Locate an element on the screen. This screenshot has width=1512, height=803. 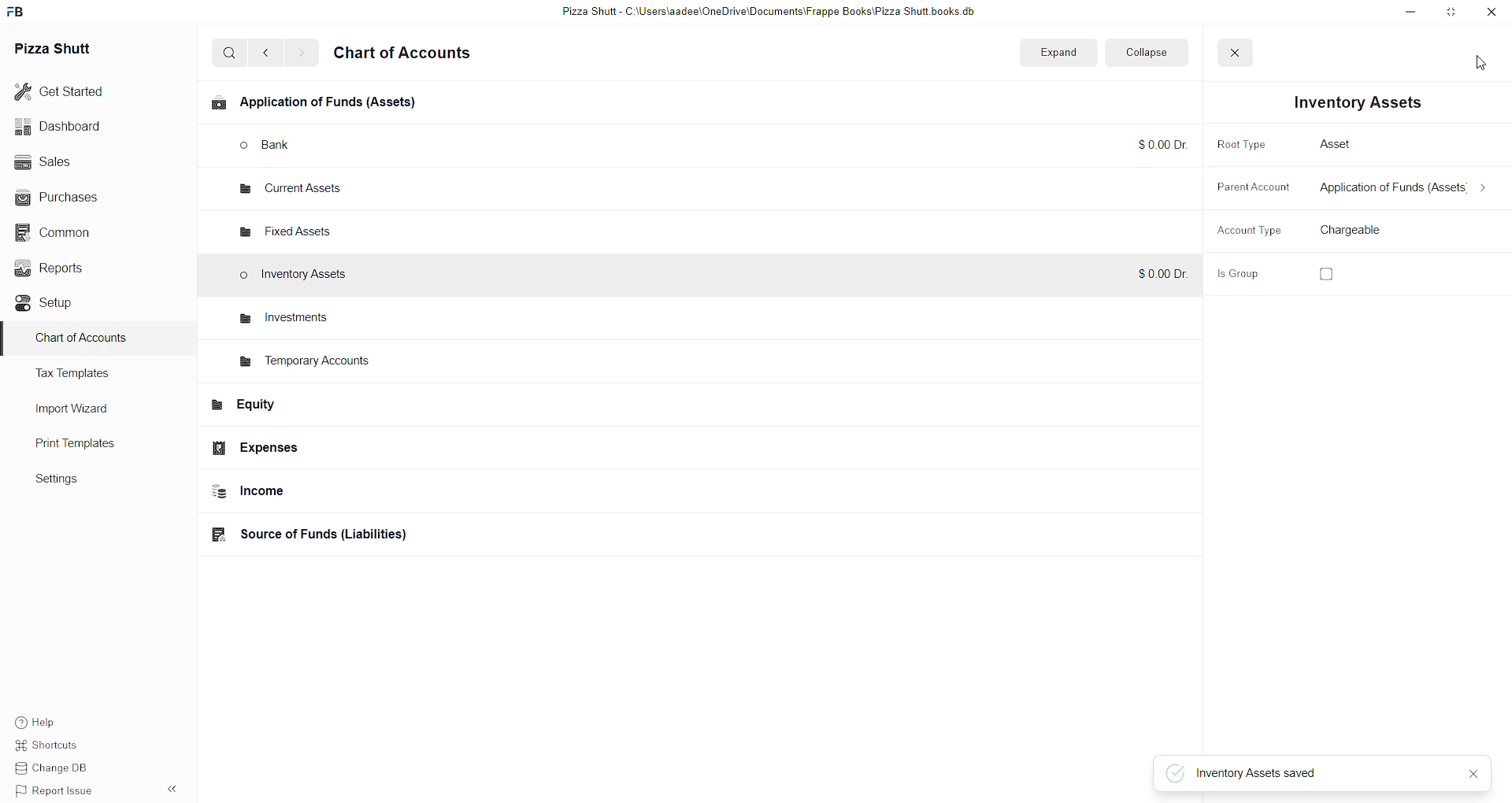
search is located at coordinates (230, 54).